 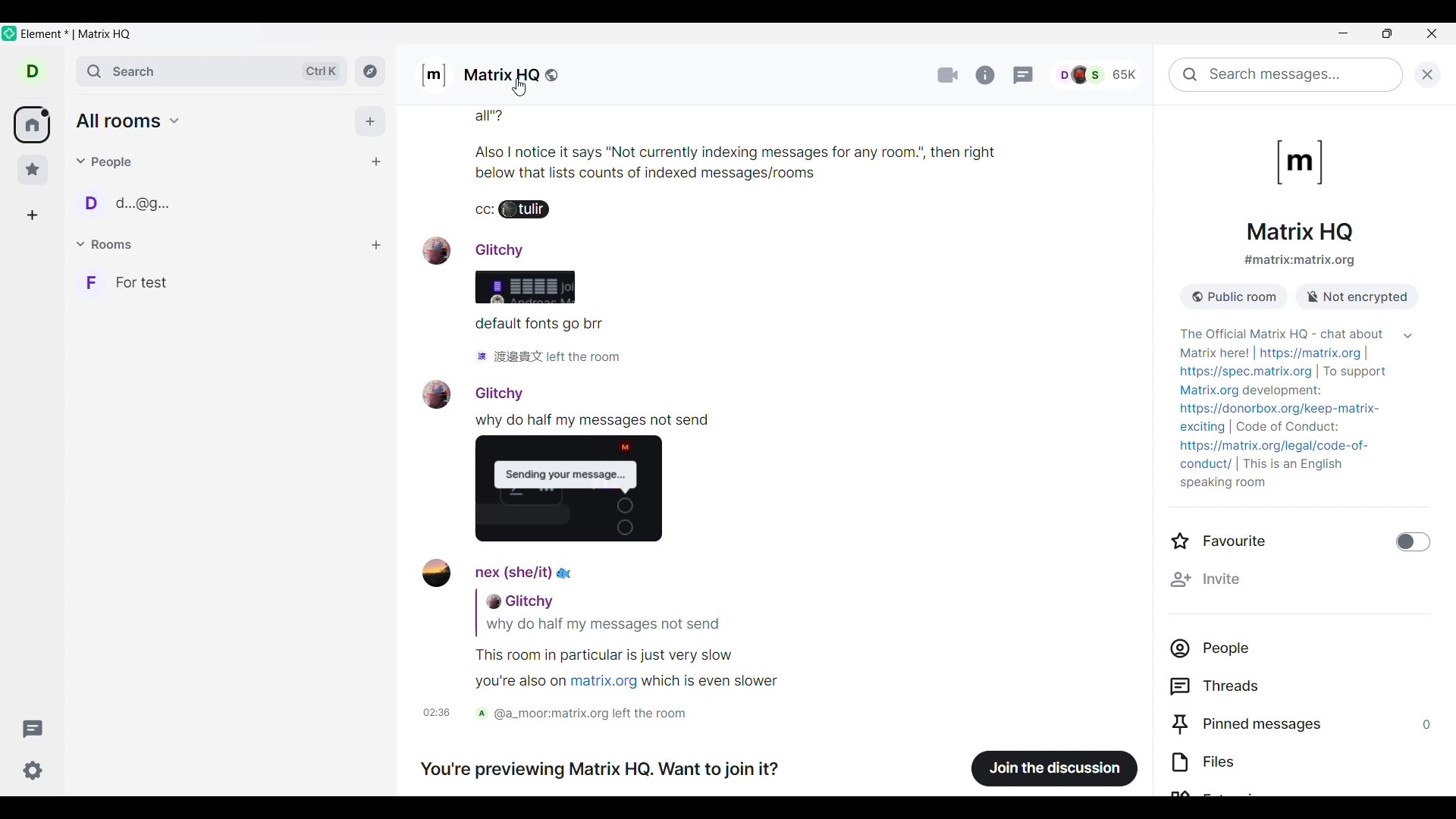 I want to click on all?, so click(x=588, y=119).